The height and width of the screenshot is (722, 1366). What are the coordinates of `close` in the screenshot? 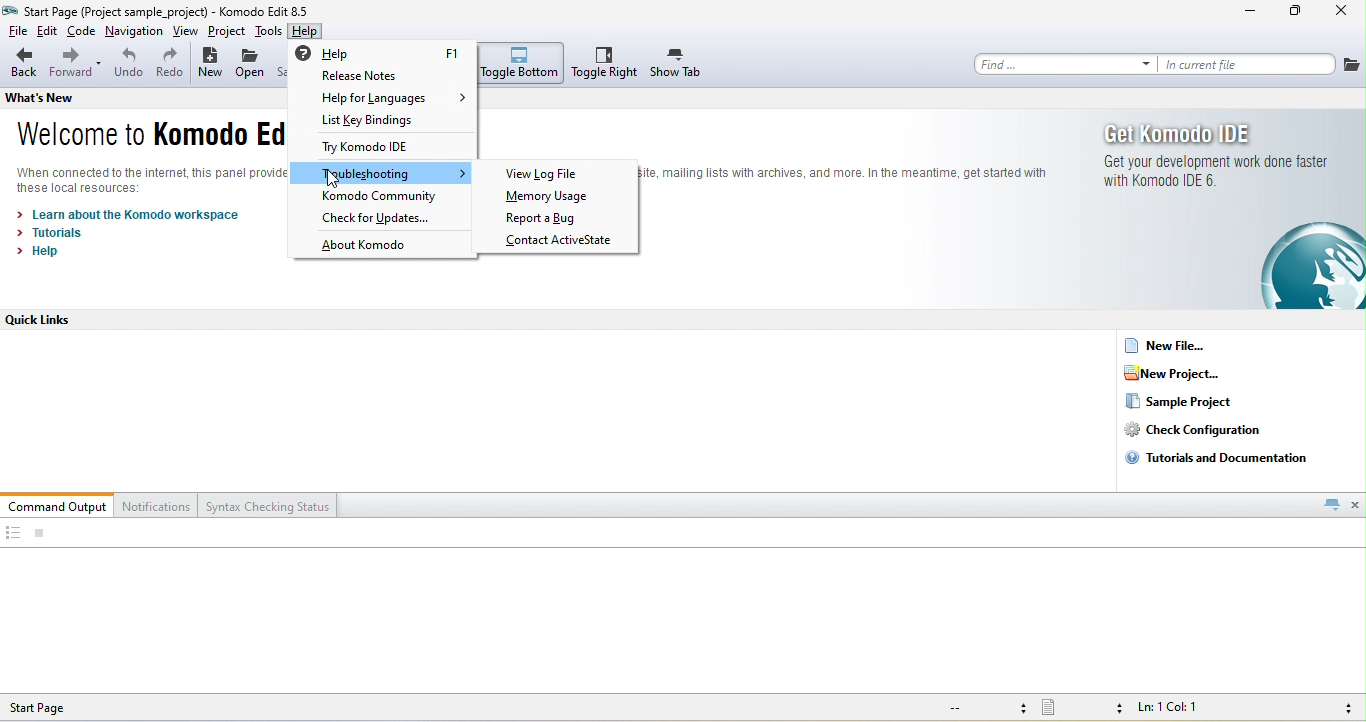 It's located at (1356, 504).